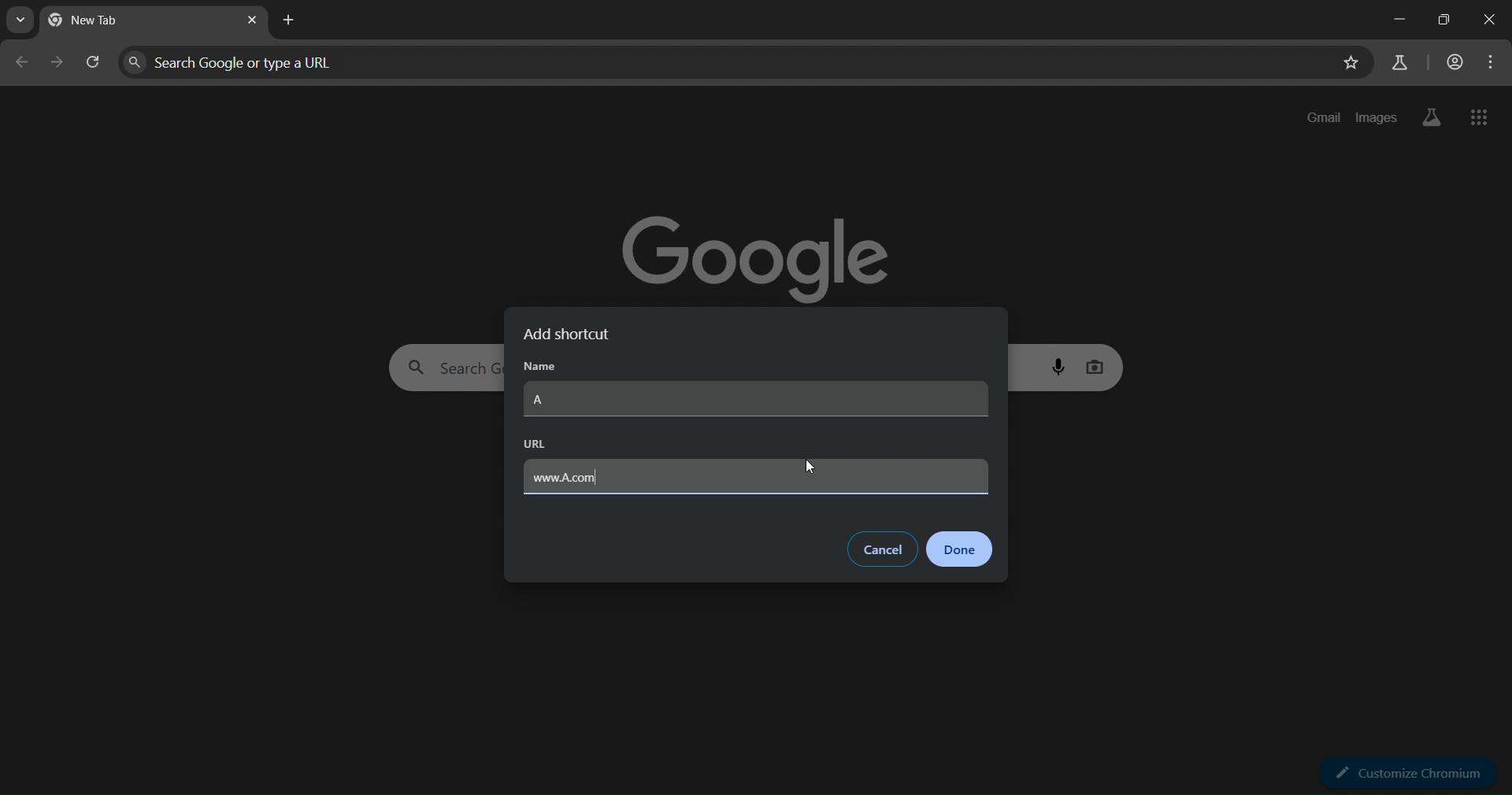  I want to click on search google or type a URL, so click(725, 63).